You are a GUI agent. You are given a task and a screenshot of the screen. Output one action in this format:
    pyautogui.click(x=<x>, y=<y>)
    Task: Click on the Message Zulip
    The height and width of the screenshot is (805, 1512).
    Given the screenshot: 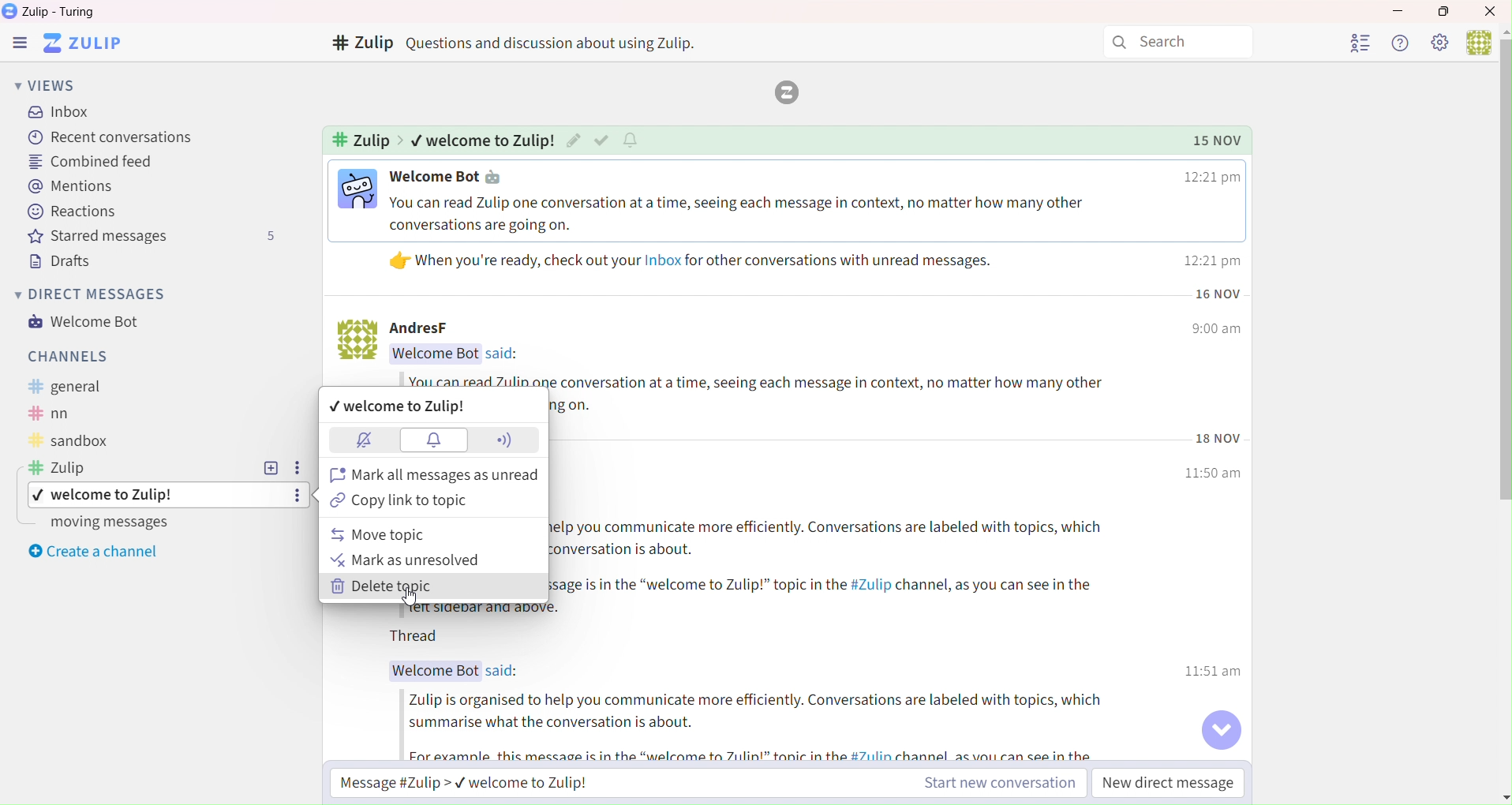 What is the action you would take?
    pyautogui.click(x=457, y=781)
    